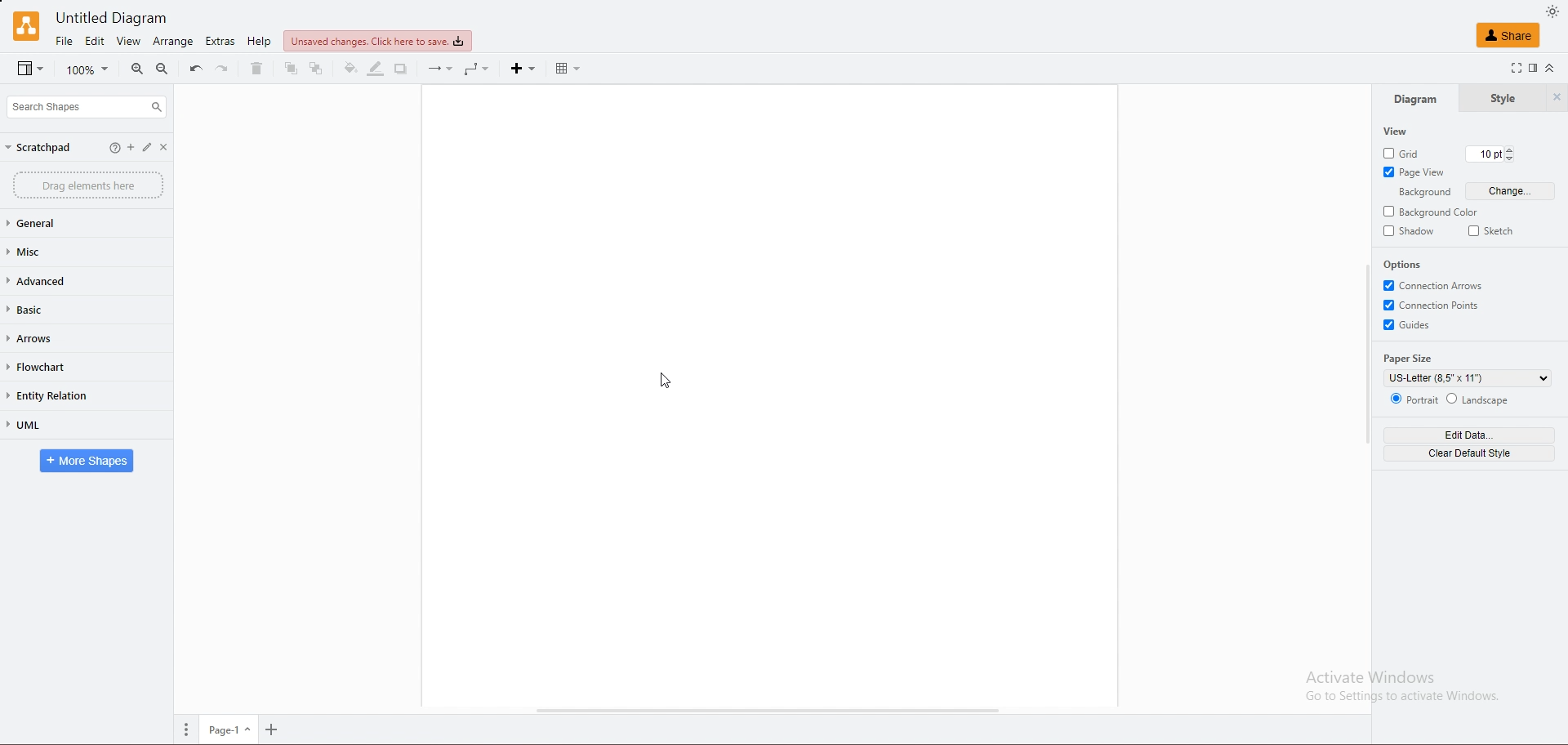 The width and height of the screenshot is (1568, 745). I want to click on view, so click(127, 41).